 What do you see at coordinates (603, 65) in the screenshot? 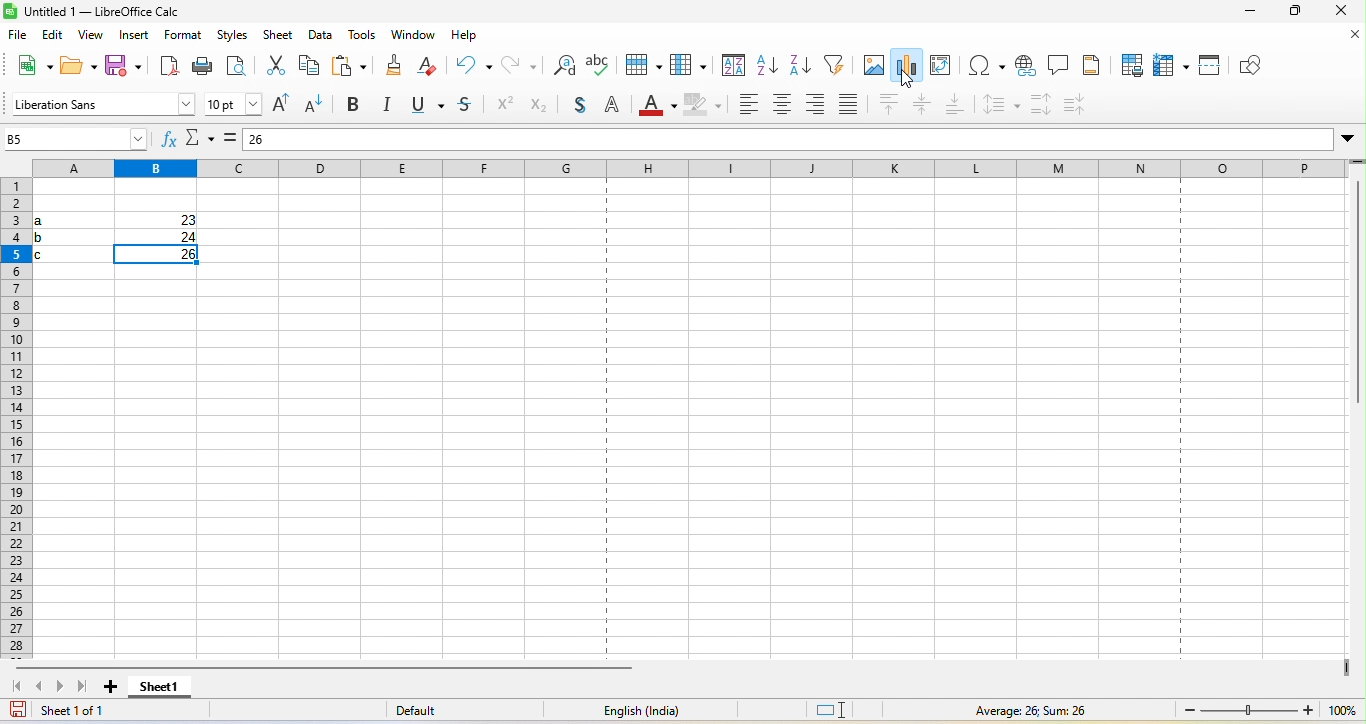
I see `spelling` at bounding box center [603, 65].